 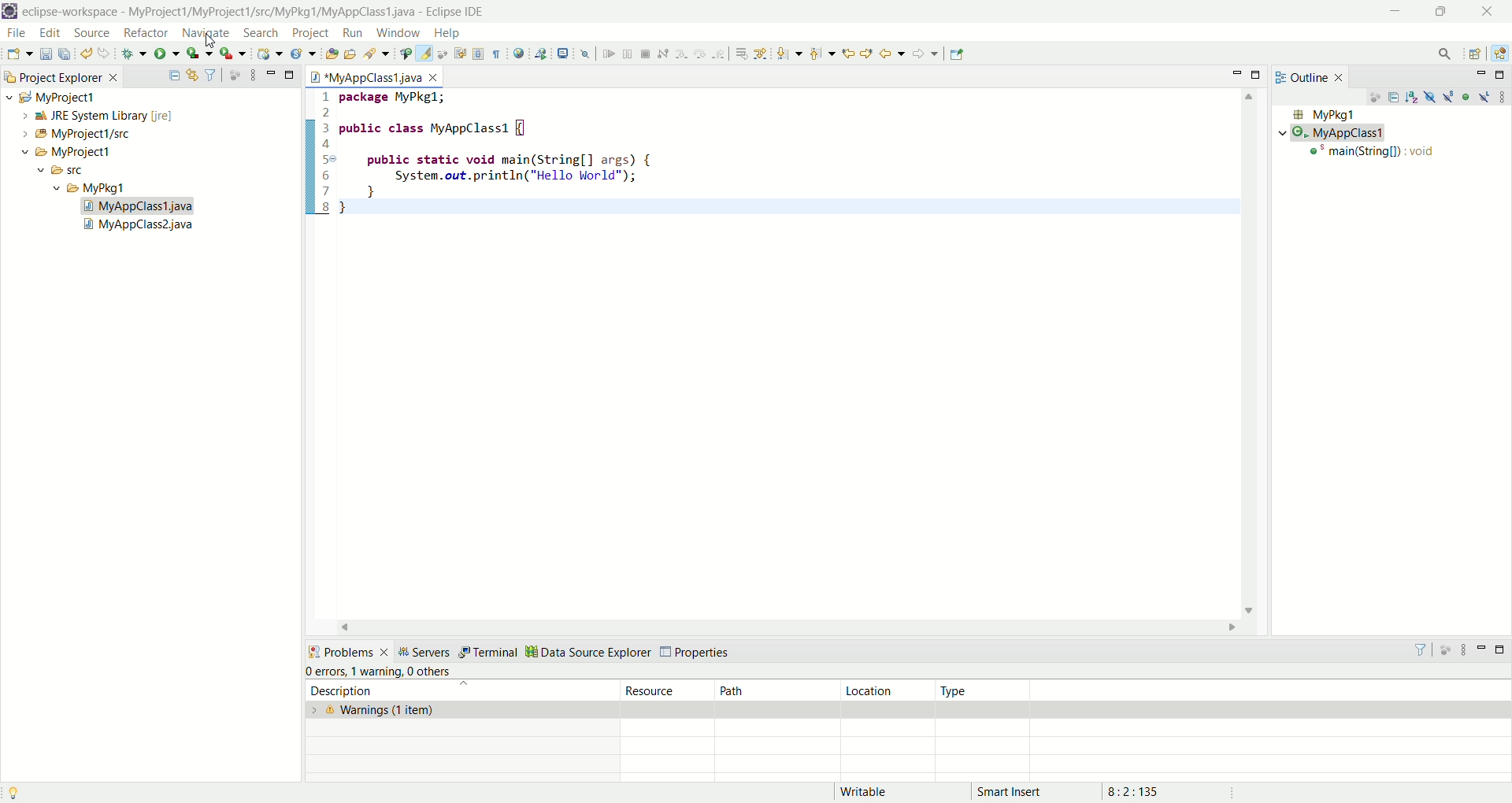 I want to click on maximize, so click(x=291, y=73).